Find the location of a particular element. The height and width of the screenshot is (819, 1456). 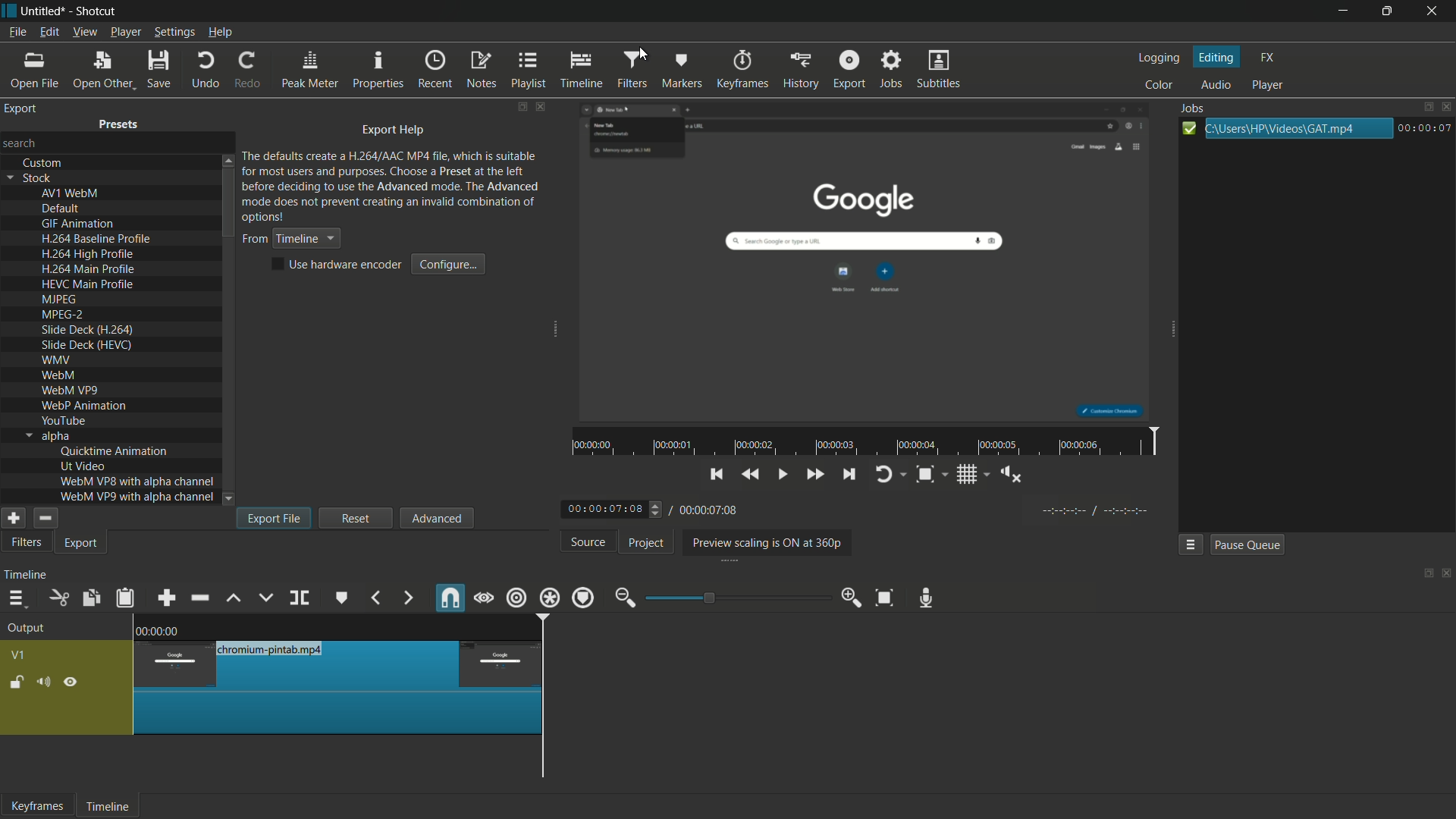

ripple delete is located at coordinates (202, 598).